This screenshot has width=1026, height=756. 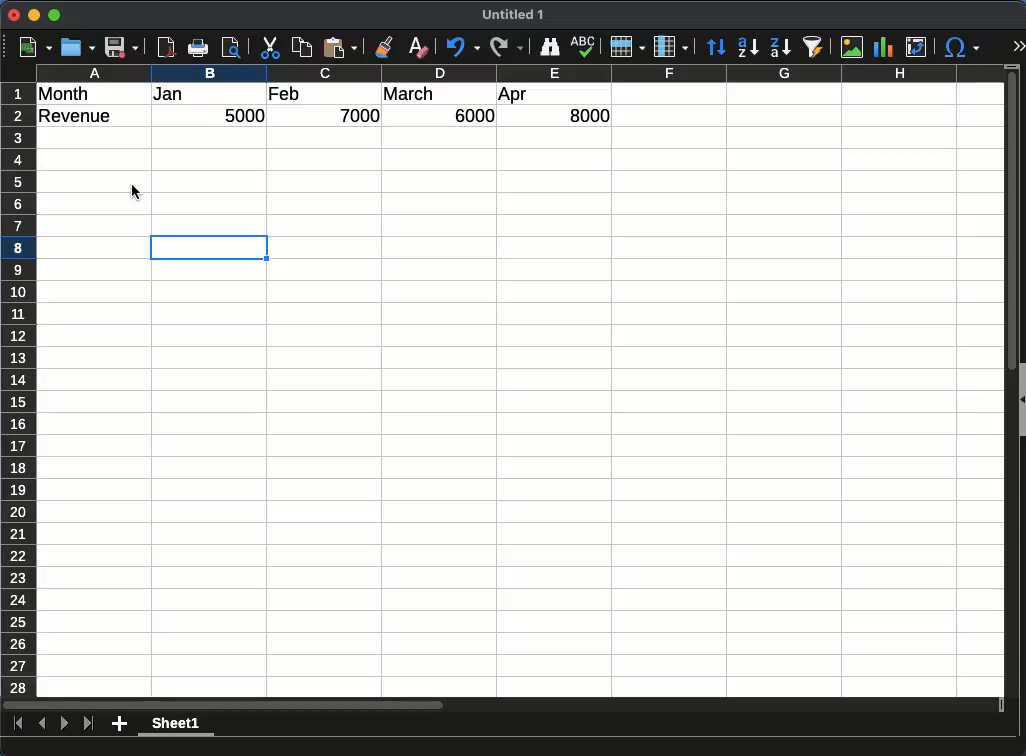 What do you see at coordinates (589, 115) in the screenshot?
I see `8000` at bounding box center [589, 115].